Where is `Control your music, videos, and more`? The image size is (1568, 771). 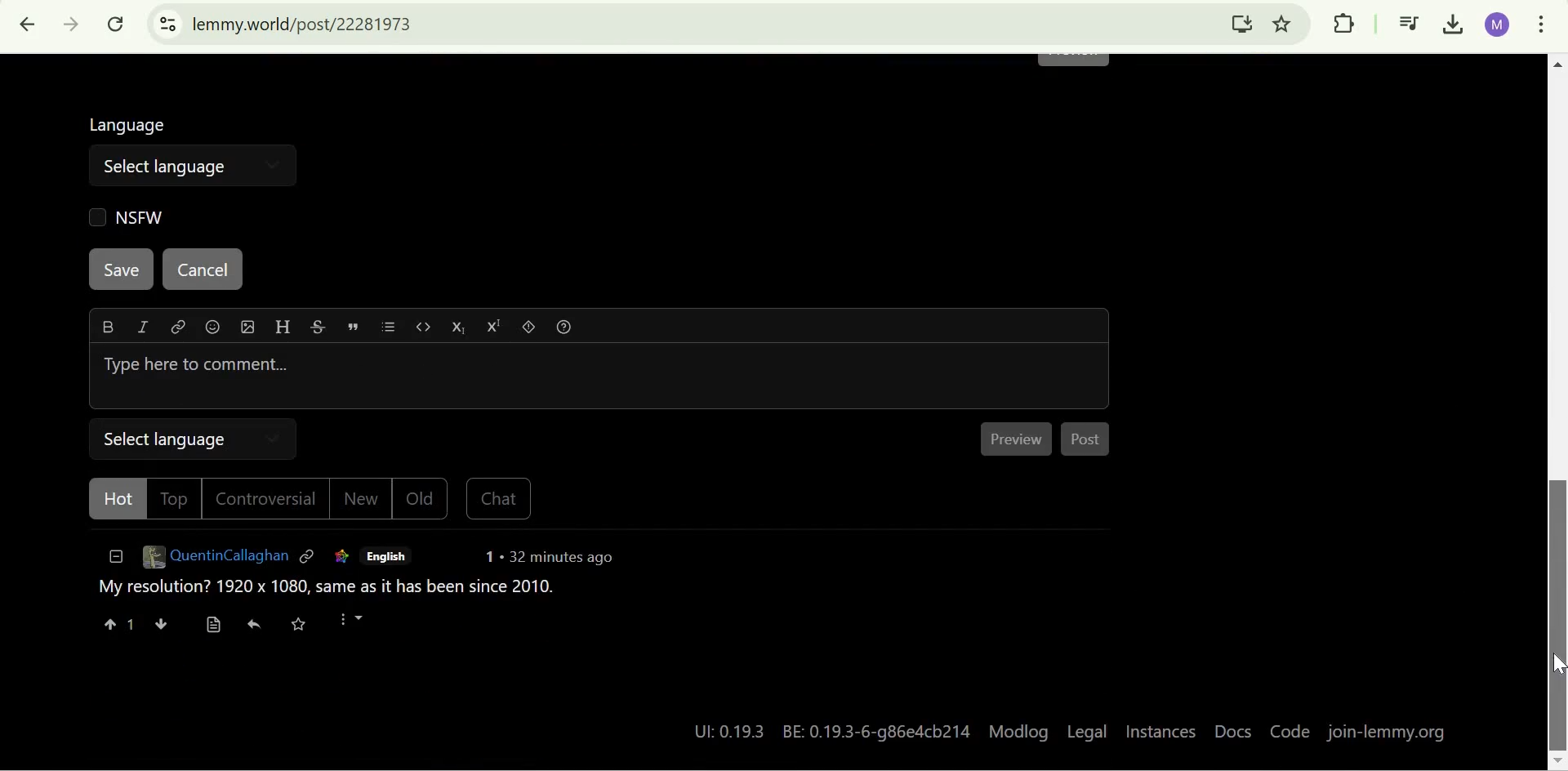
Control your music, videos, and more is located at coordinates (1410, 25).